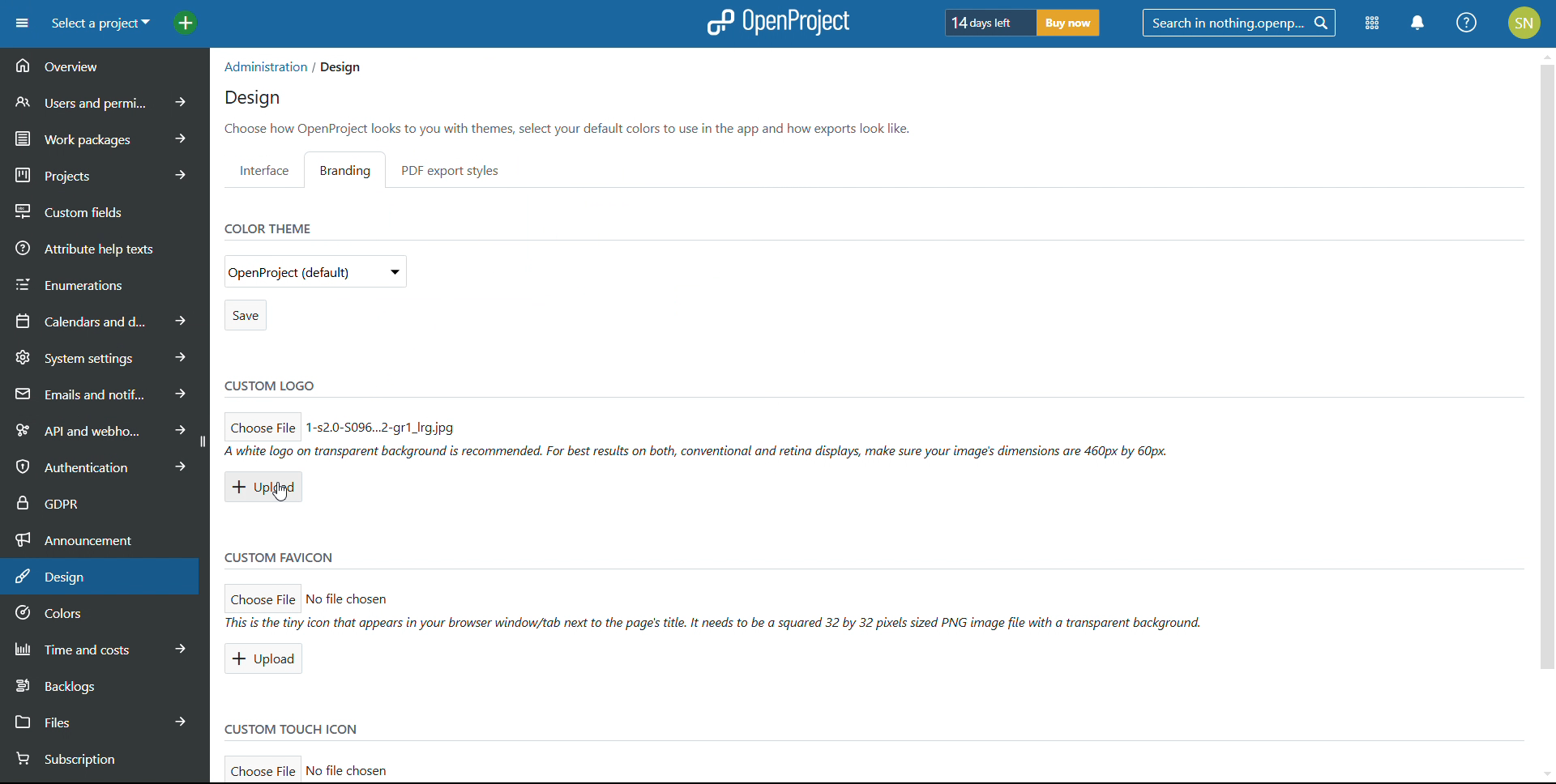  I want to click on open sidebar menu, so click(22, 23).